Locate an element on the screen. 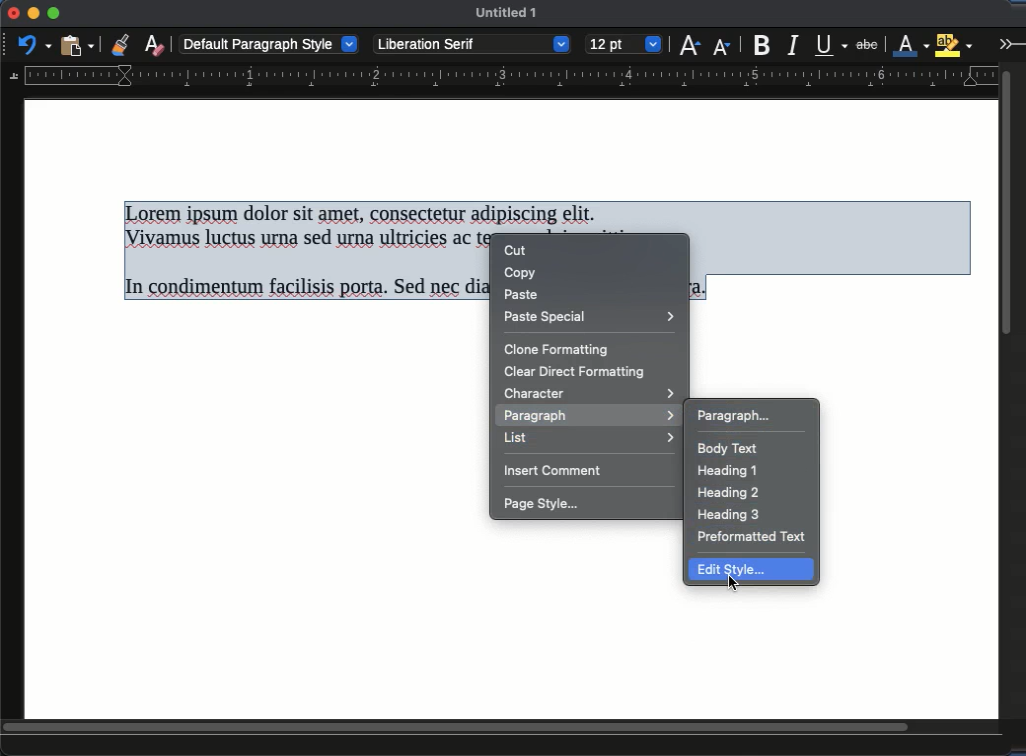  insert comment is located at coordinates (557, 472).